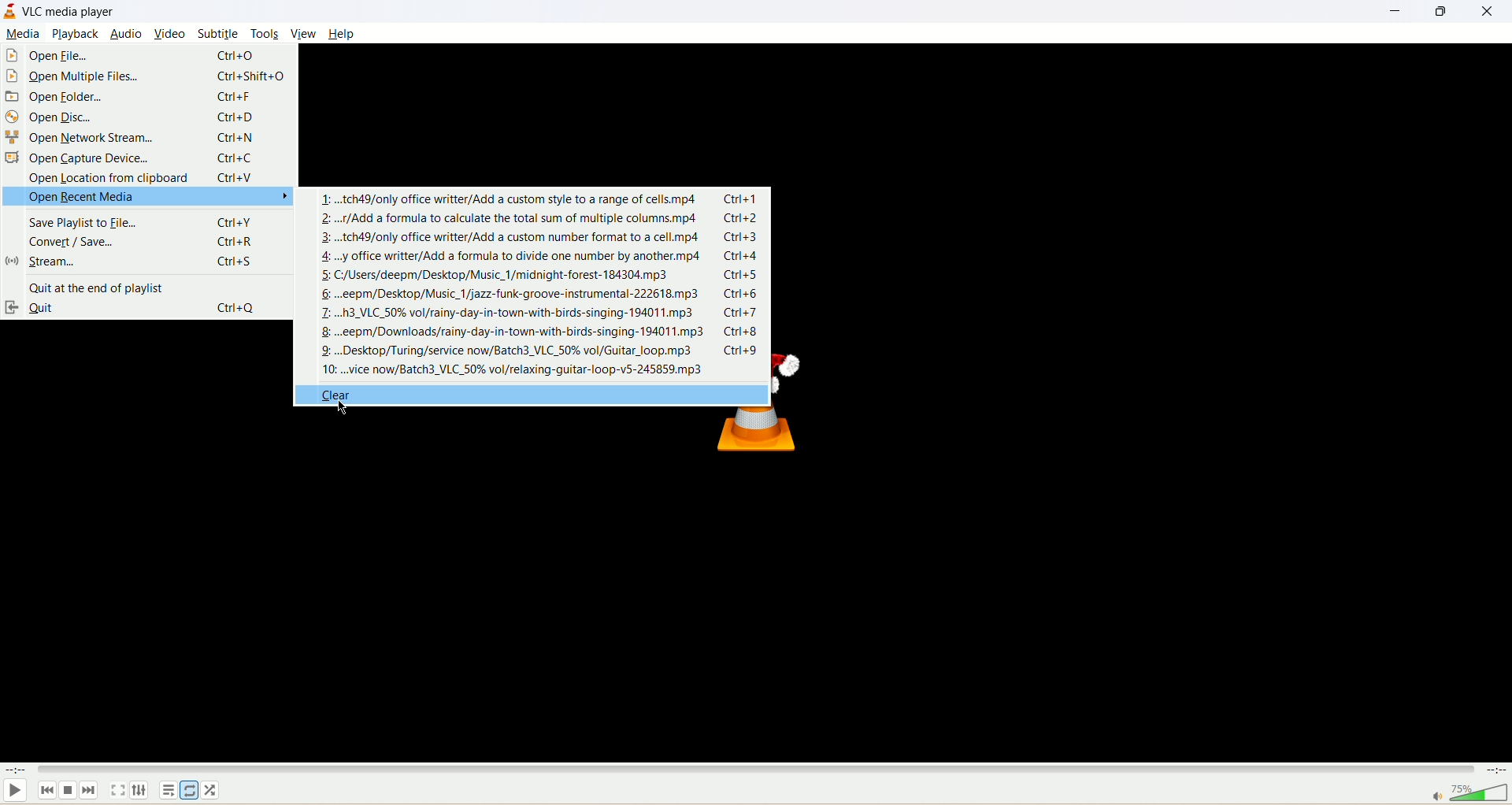 The height and width of the screenshot is (805, 1512). What do you see at coordinates (743, 237) in the screenshot?
I see `ctrl+3` at bounding box center [743, 237].